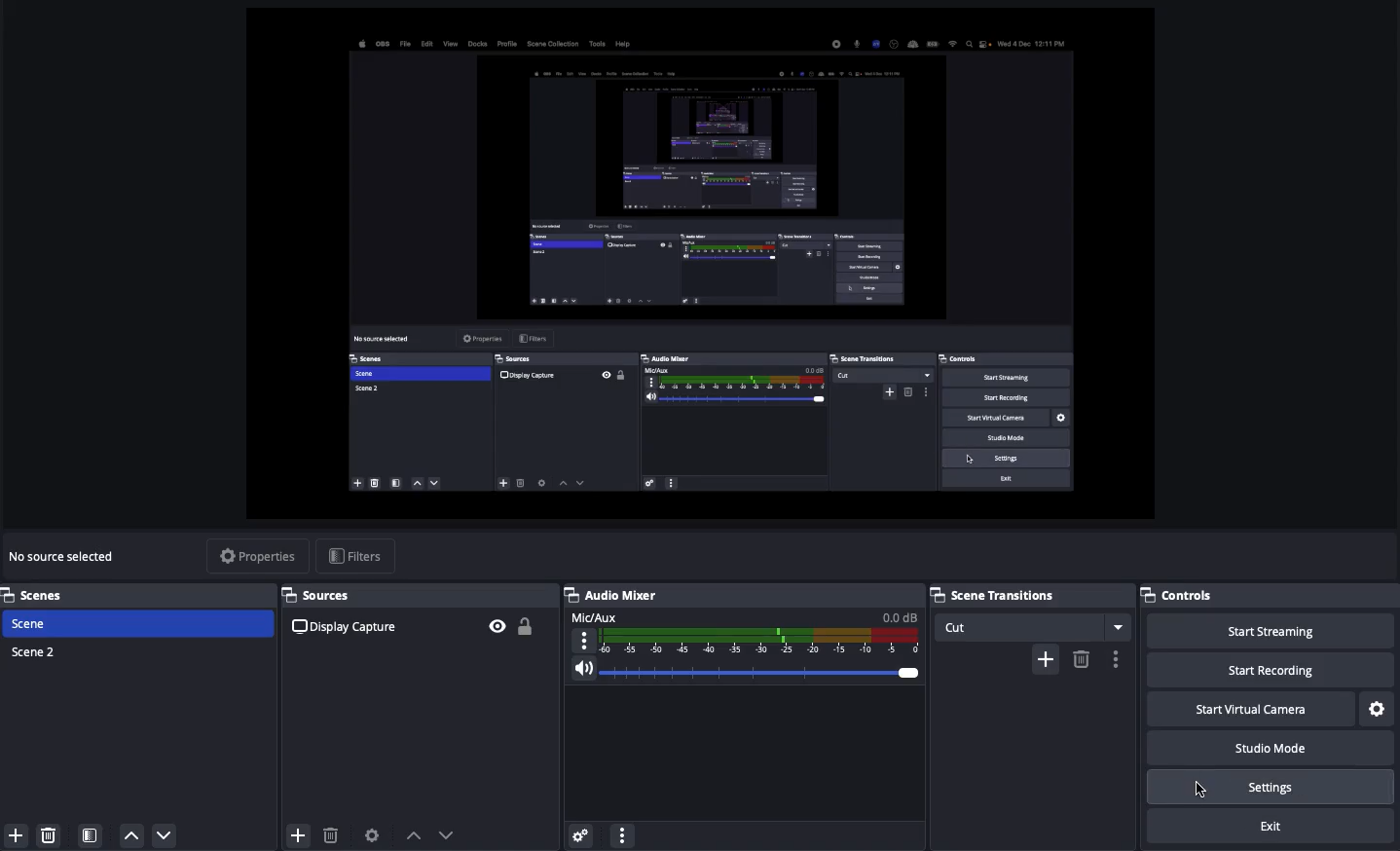 The width and height of the screenshot is (1400, 851). I want to click on Delete, so click(332, 832).